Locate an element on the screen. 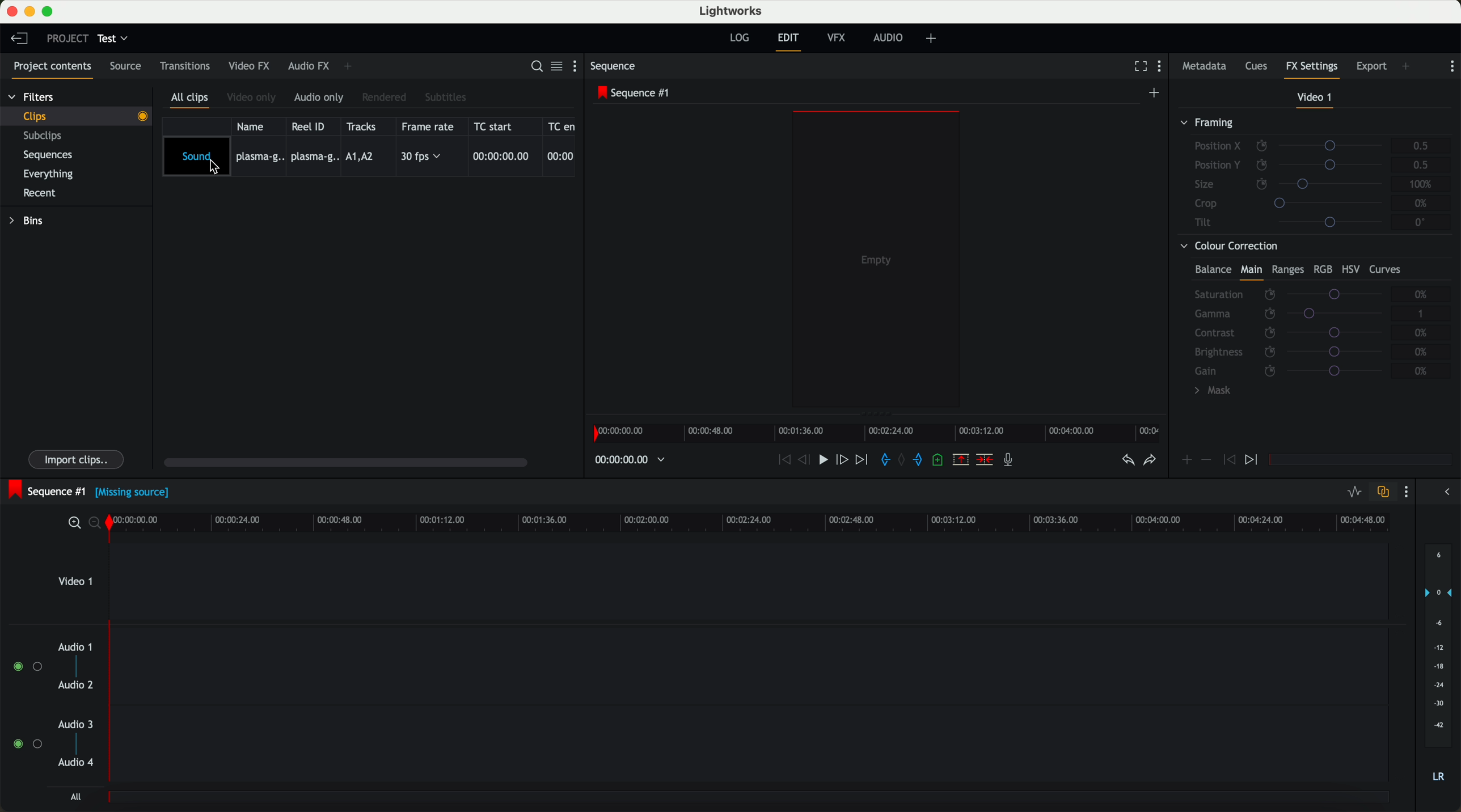 The width and height of the screenshot is (1461, 812). recent is located at coordinates (38, 192).